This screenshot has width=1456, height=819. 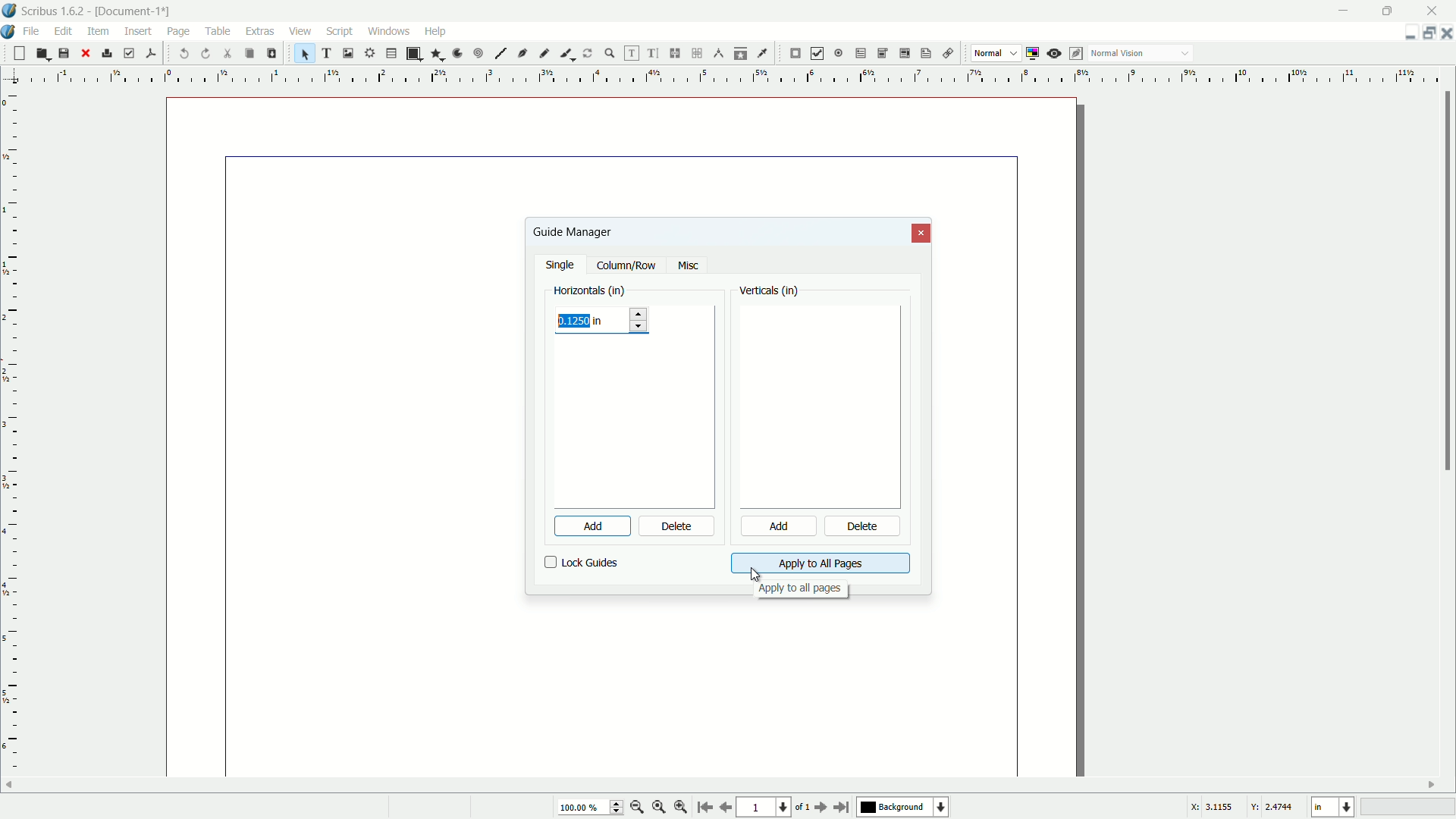 What do you see at coordinates (391, 30) in the screenshot?
I see `windows menu` at bounding box center [391, 30].